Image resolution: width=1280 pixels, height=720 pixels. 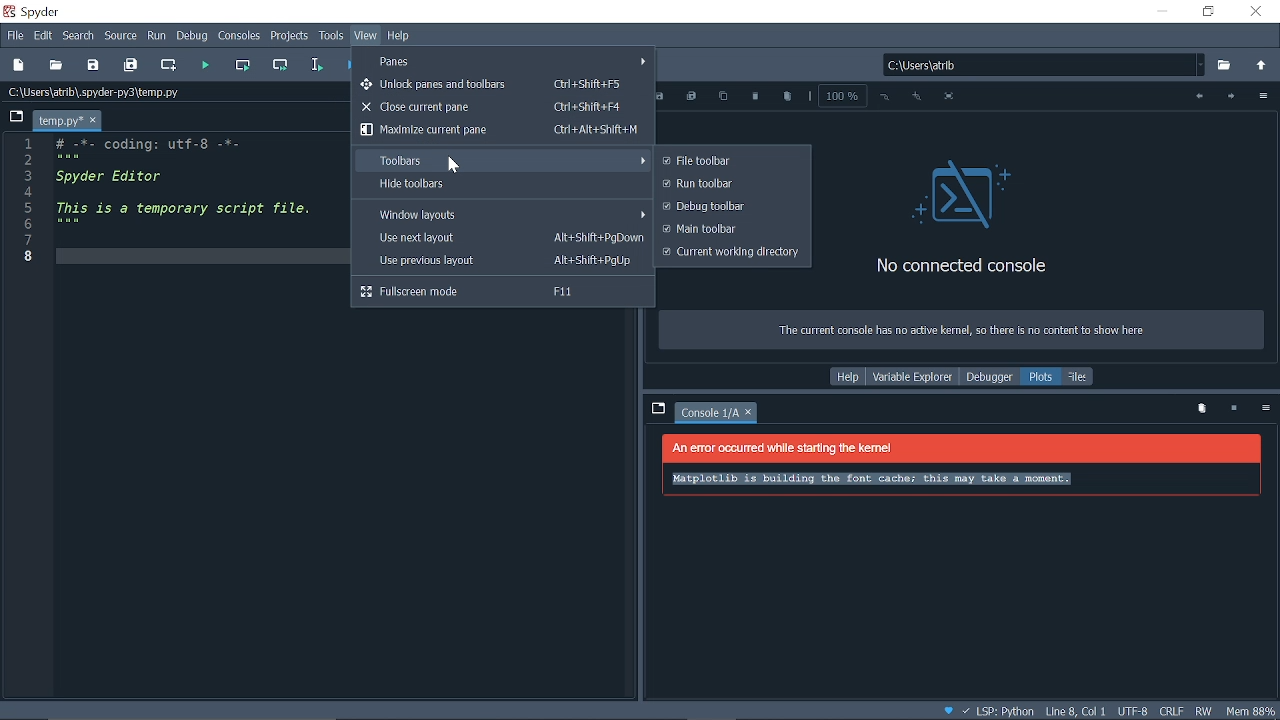 I want to click on Browse tabs, so click(x=657, y=408).